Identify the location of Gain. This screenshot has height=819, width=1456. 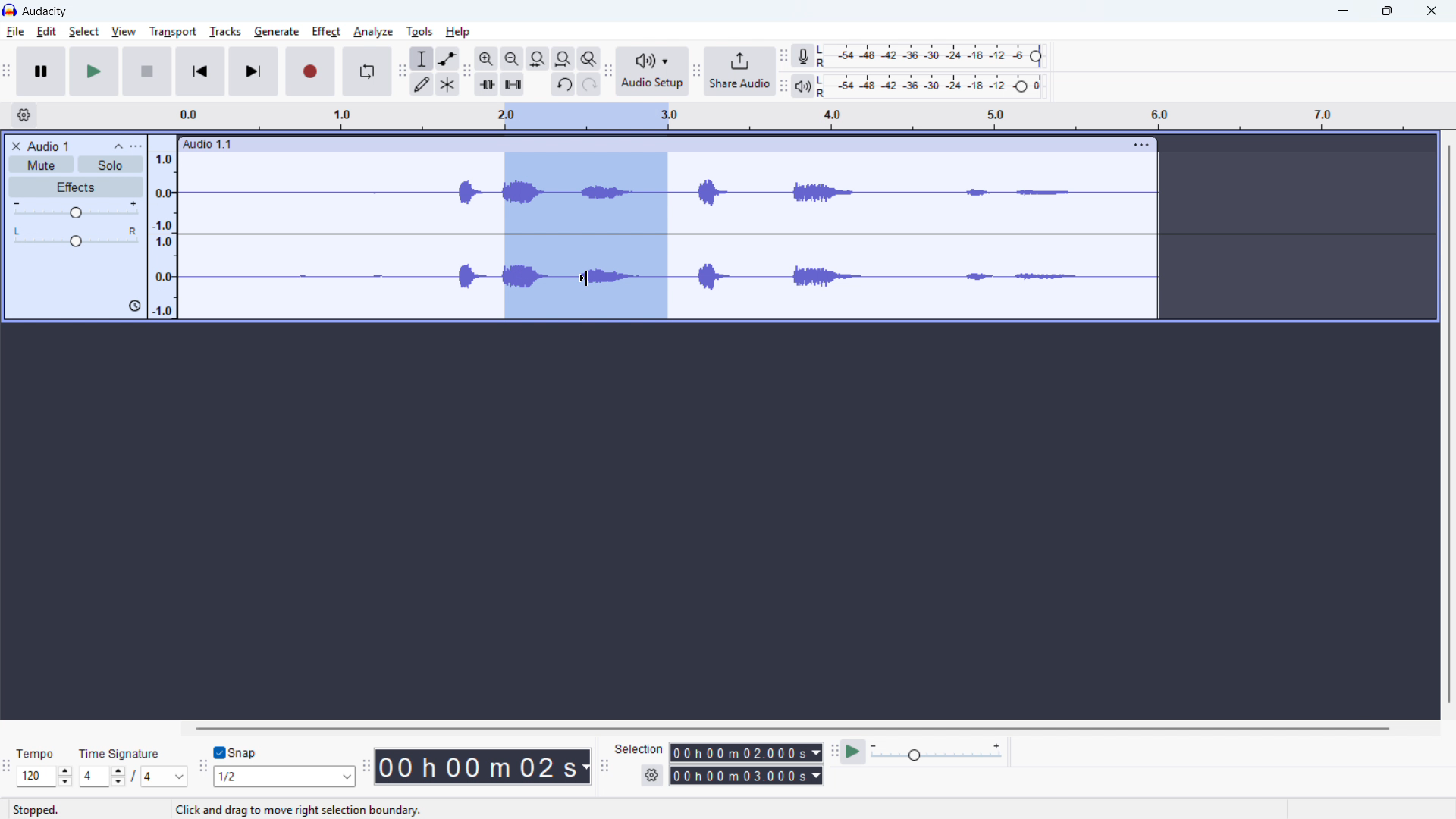
(76, 209).